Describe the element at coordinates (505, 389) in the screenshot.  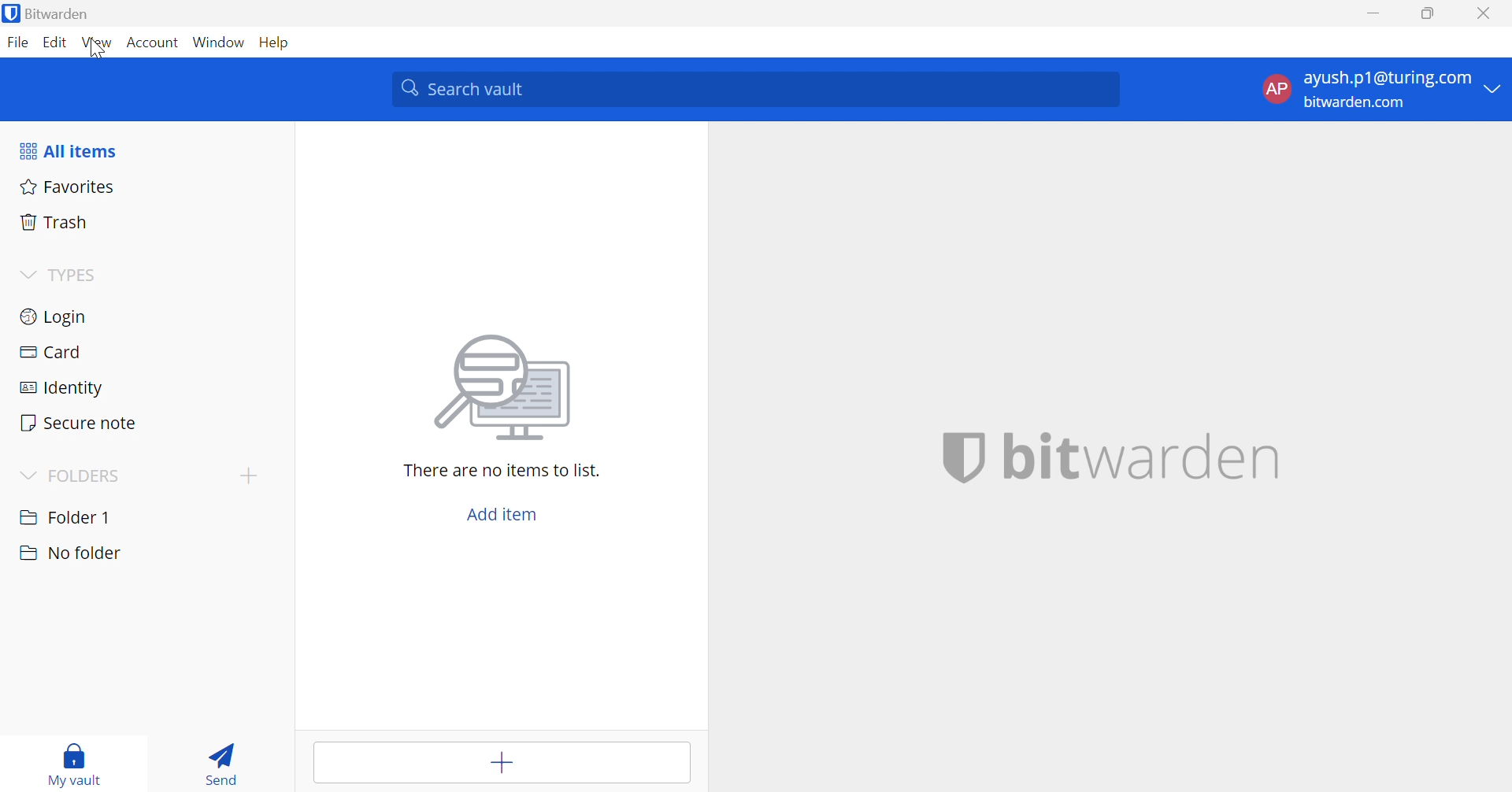
I see `image` at that location.